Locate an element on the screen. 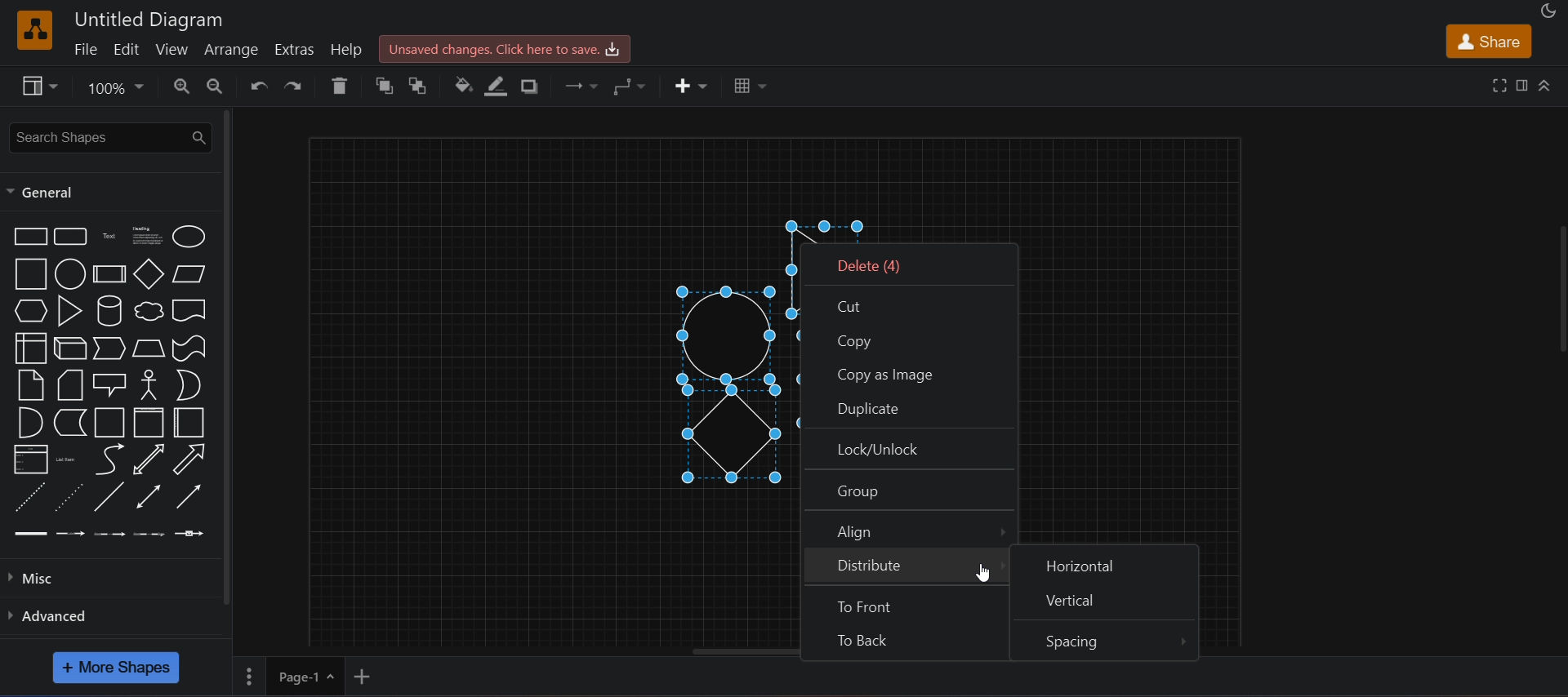  vertical container is located at coordinates (146, 424).